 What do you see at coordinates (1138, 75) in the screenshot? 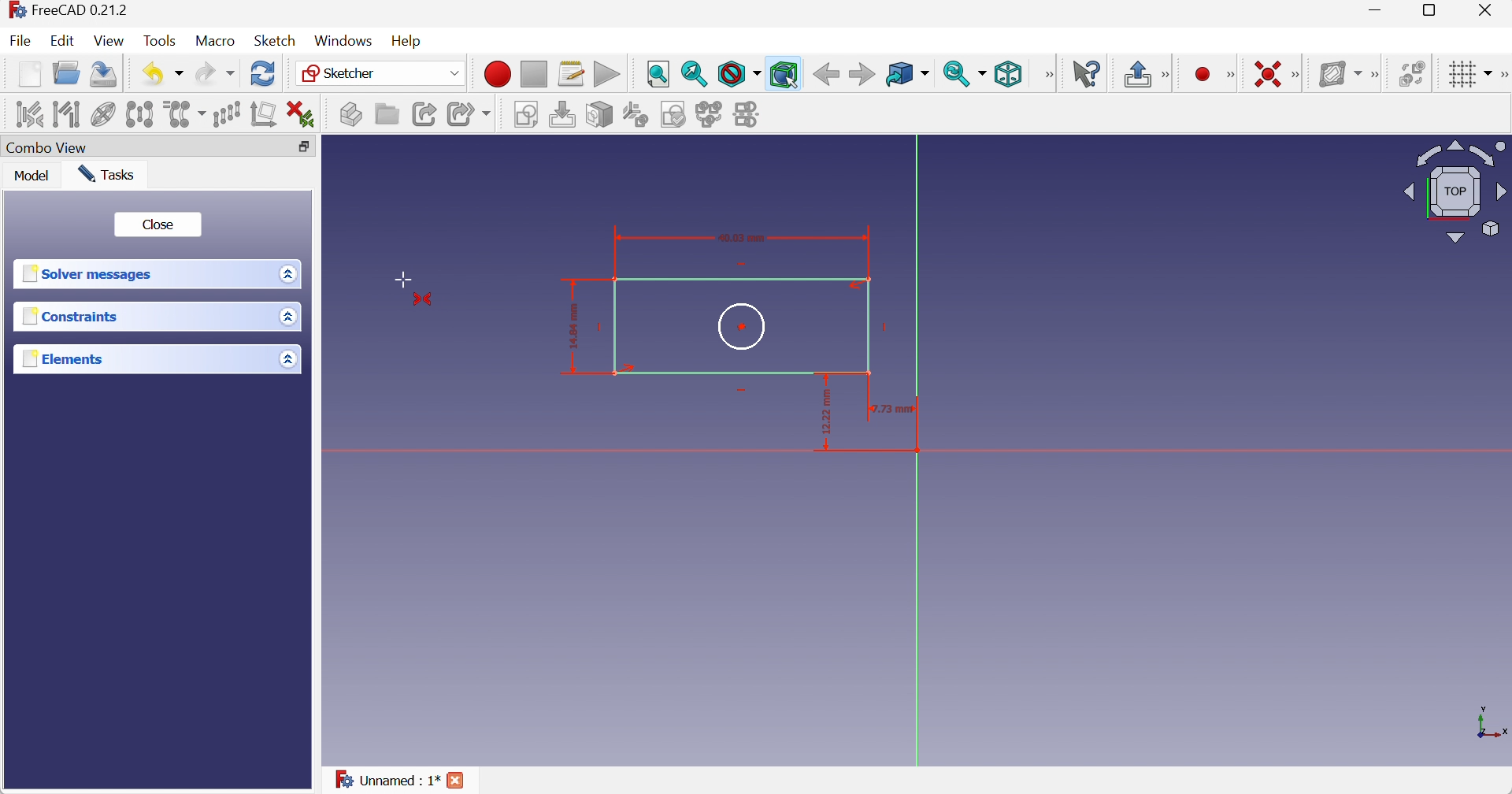
I see `Leave sketch` at bounding box center [1138, 75].